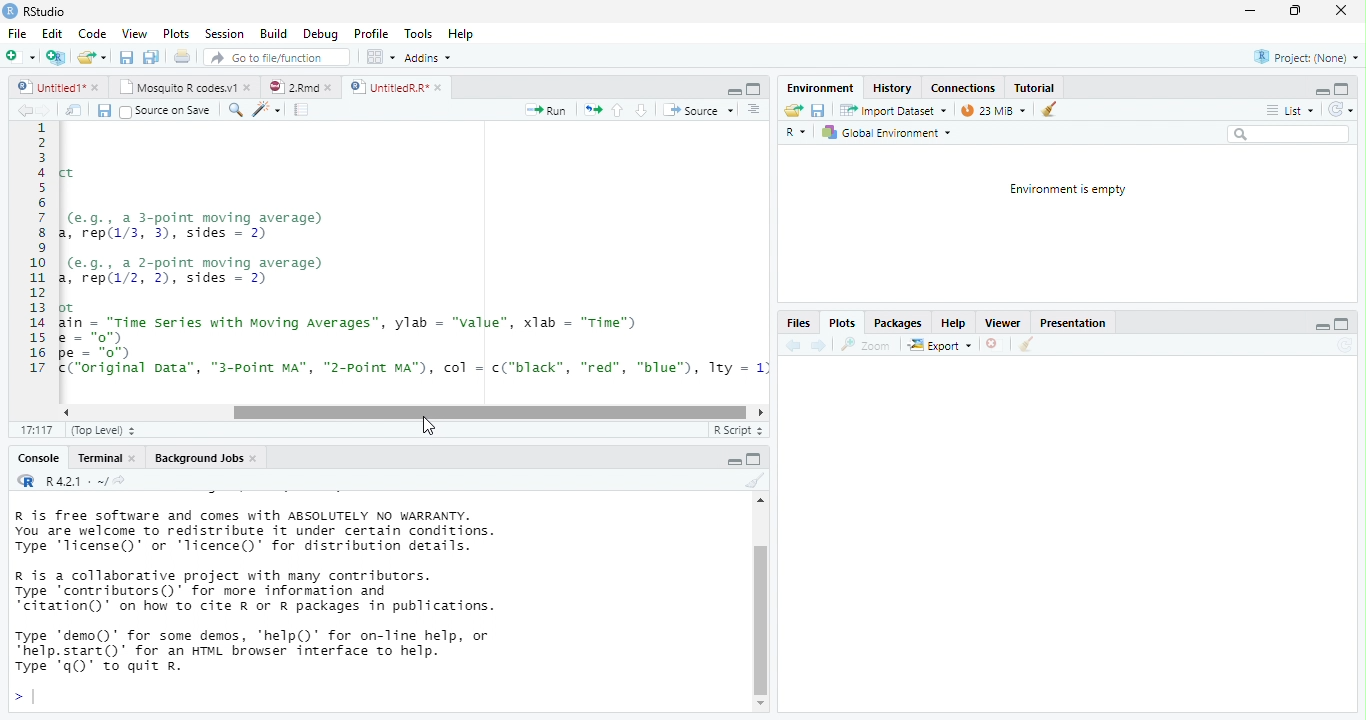  What do you see at coordinates (700, 110) in the screenshot?
I see `‘Source` at bounding box center [700, 110].